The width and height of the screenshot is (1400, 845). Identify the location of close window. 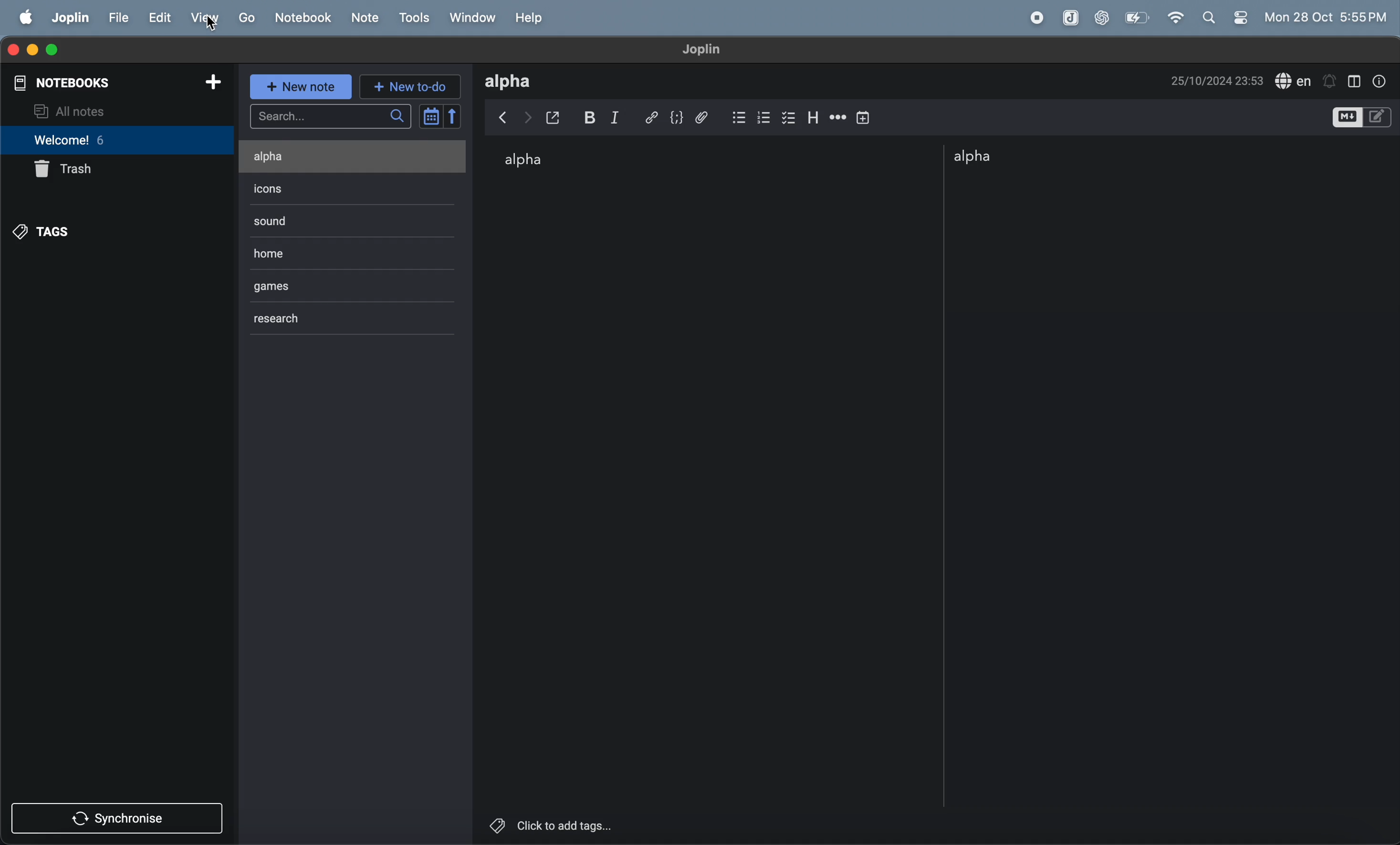
(14, 49).